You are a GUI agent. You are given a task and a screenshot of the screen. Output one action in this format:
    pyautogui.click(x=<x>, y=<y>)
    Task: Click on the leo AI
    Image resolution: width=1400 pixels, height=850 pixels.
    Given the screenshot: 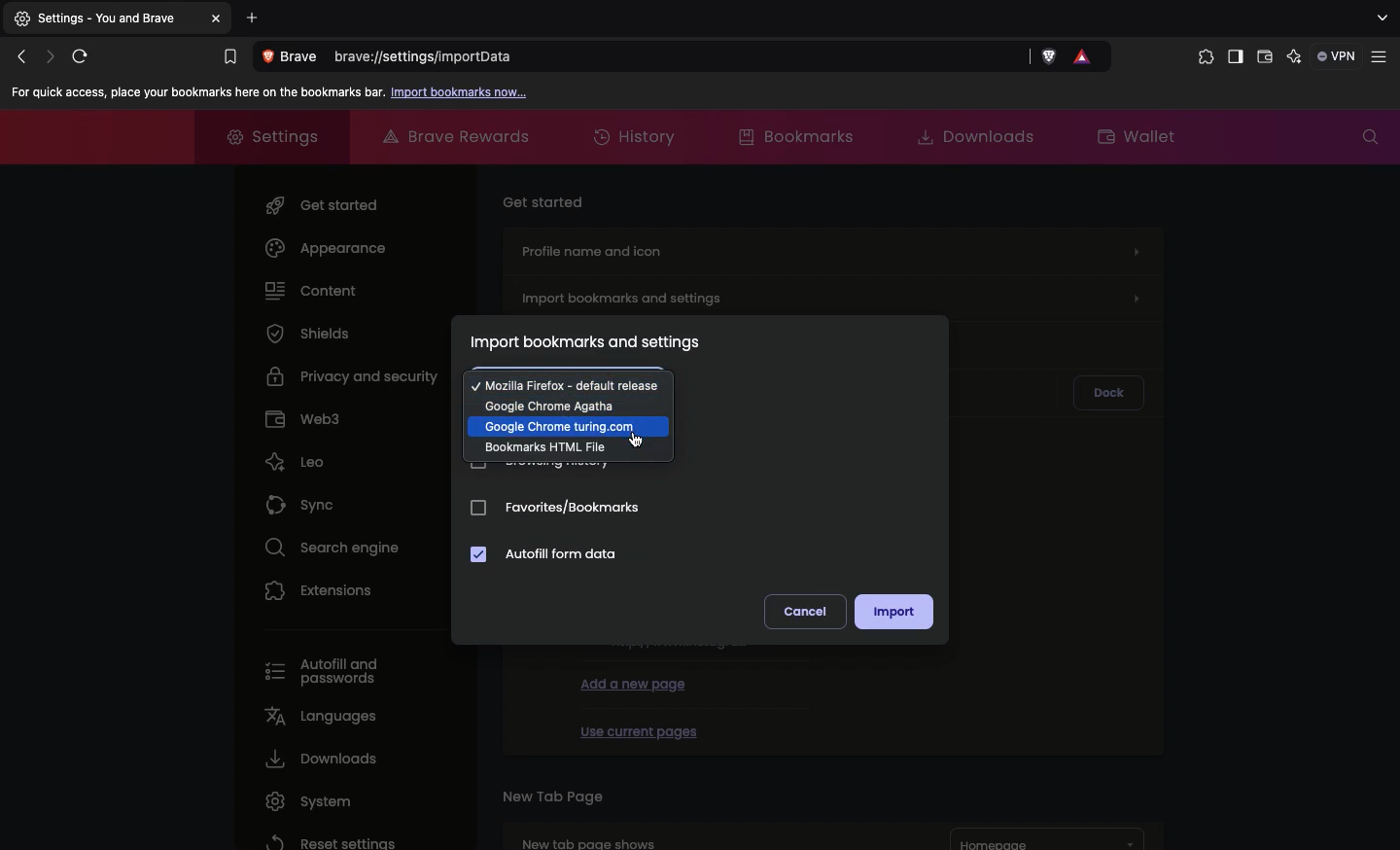 What is the action you would take?
    pyautogui.click(x=1294, y=57)
    